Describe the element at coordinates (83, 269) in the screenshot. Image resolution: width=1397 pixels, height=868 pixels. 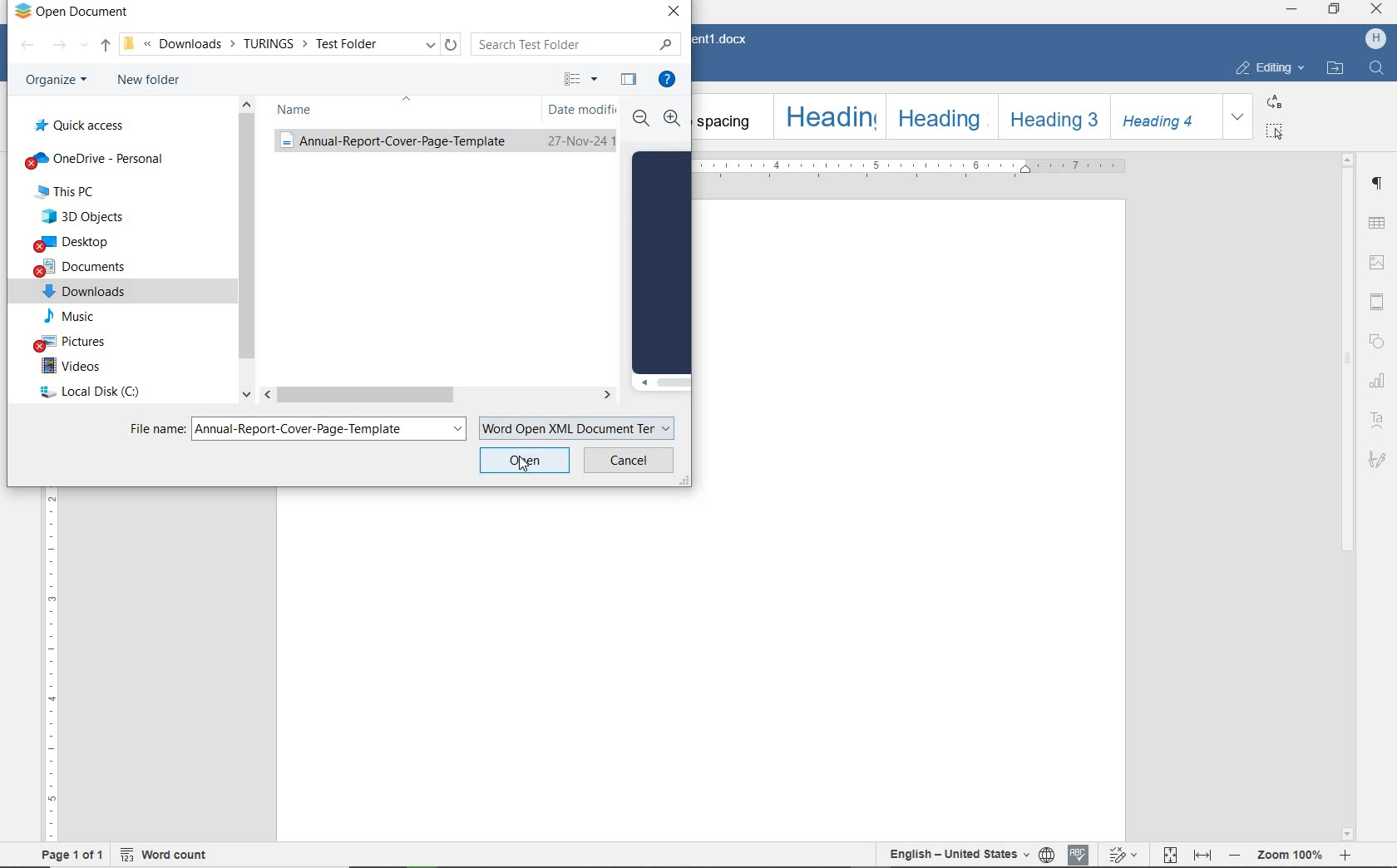
I see `documents` at that location.